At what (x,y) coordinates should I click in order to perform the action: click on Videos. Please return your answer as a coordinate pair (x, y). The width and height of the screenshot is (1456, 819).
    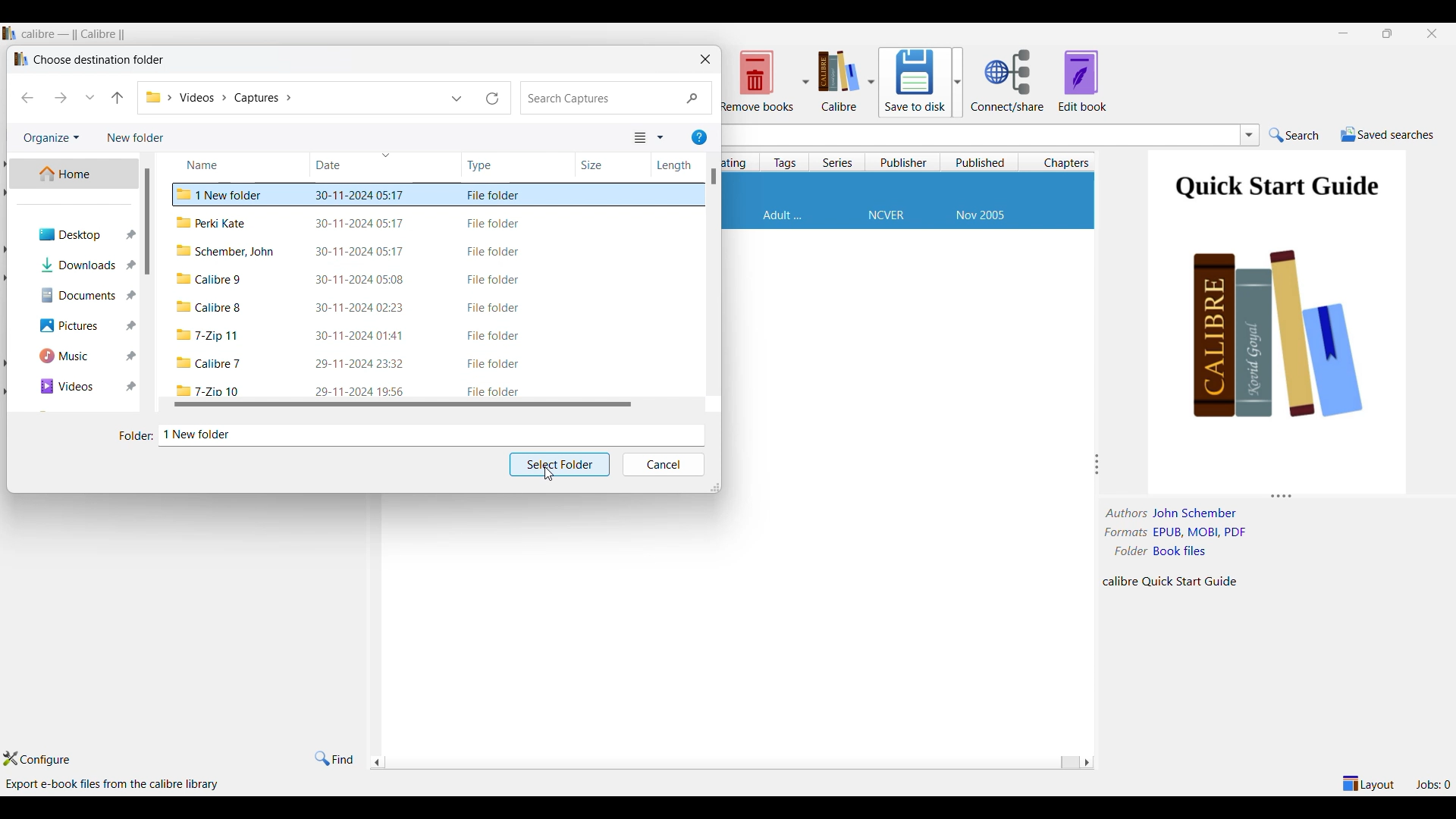
    Looking at the image, I should click on (78, 387).